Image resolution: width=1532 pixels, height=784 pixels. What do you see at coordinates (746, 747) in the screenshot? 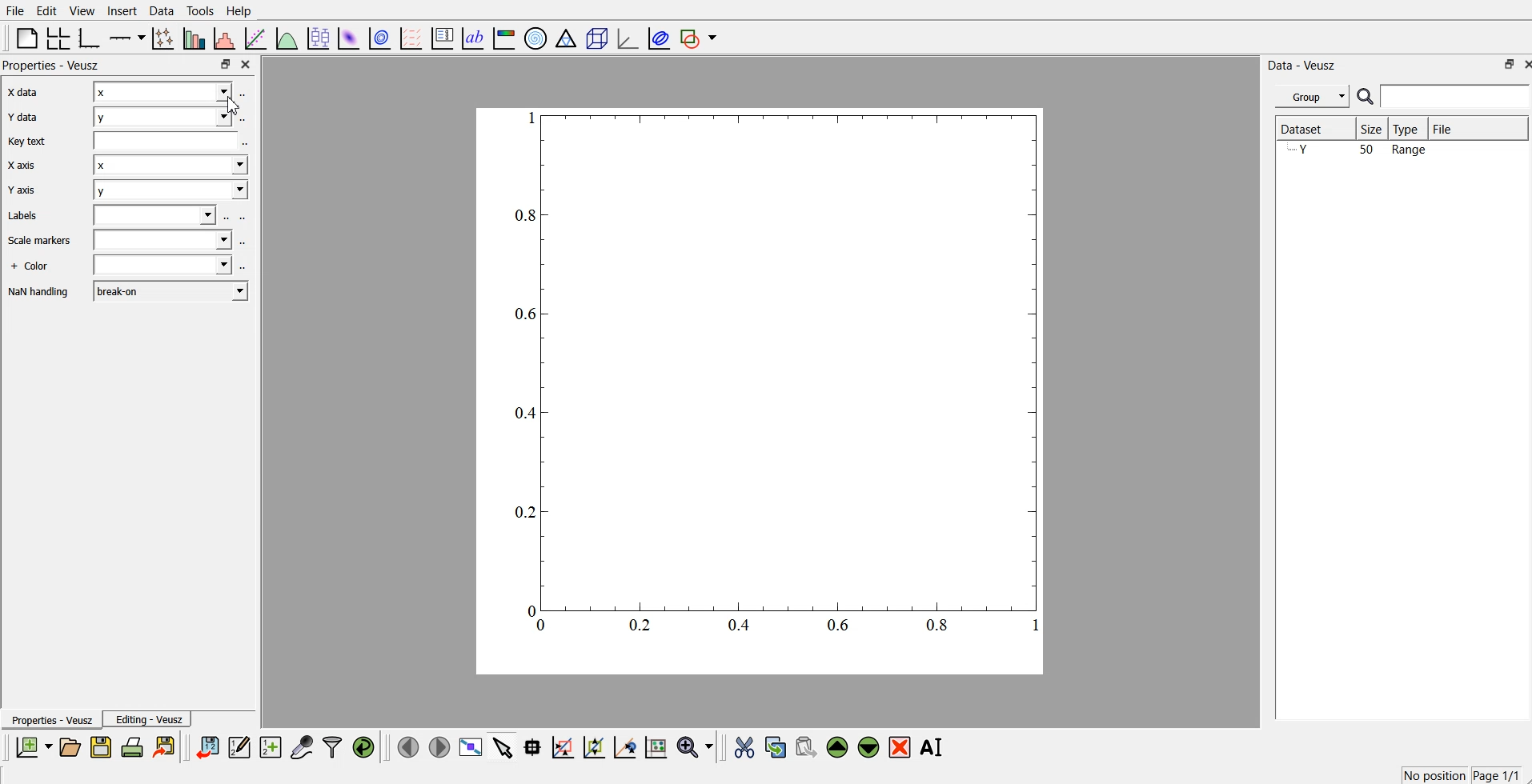
I see `cut the selected widgets` at bounding box center [746, 747].